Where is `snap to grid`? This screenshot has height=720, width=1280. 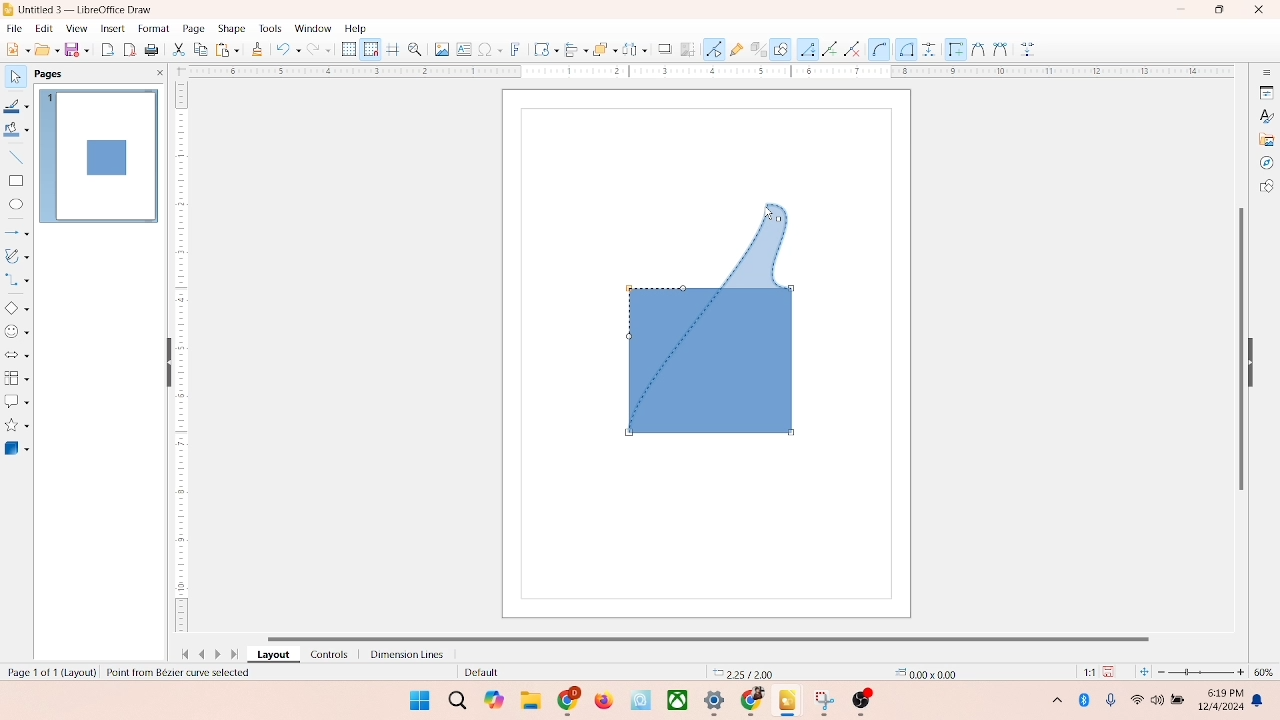 snap to grid is located at coordinates (368, 49).